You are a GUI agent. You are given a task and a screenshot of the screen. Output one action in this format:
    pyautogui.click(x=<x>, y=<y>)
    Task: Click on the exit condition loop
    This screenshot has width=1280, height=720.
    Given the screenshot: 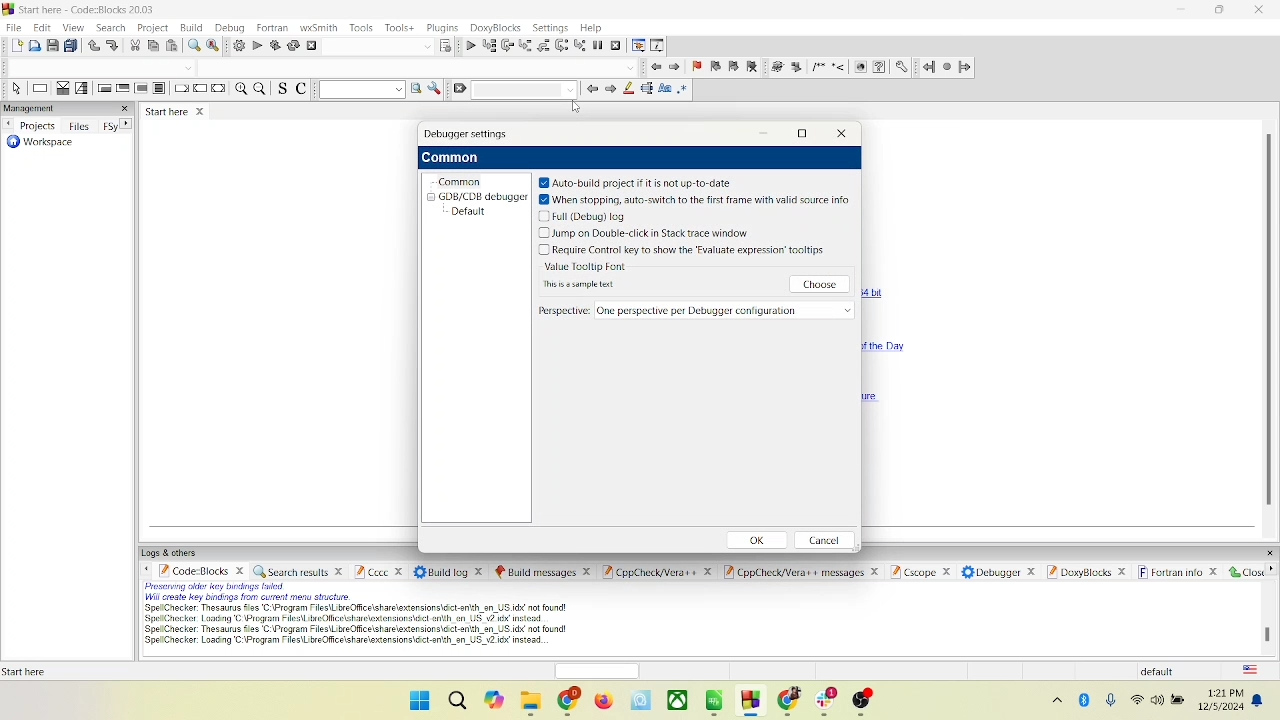 What is the action you would take?
    pyautogui.click(x=124, y=88)
    